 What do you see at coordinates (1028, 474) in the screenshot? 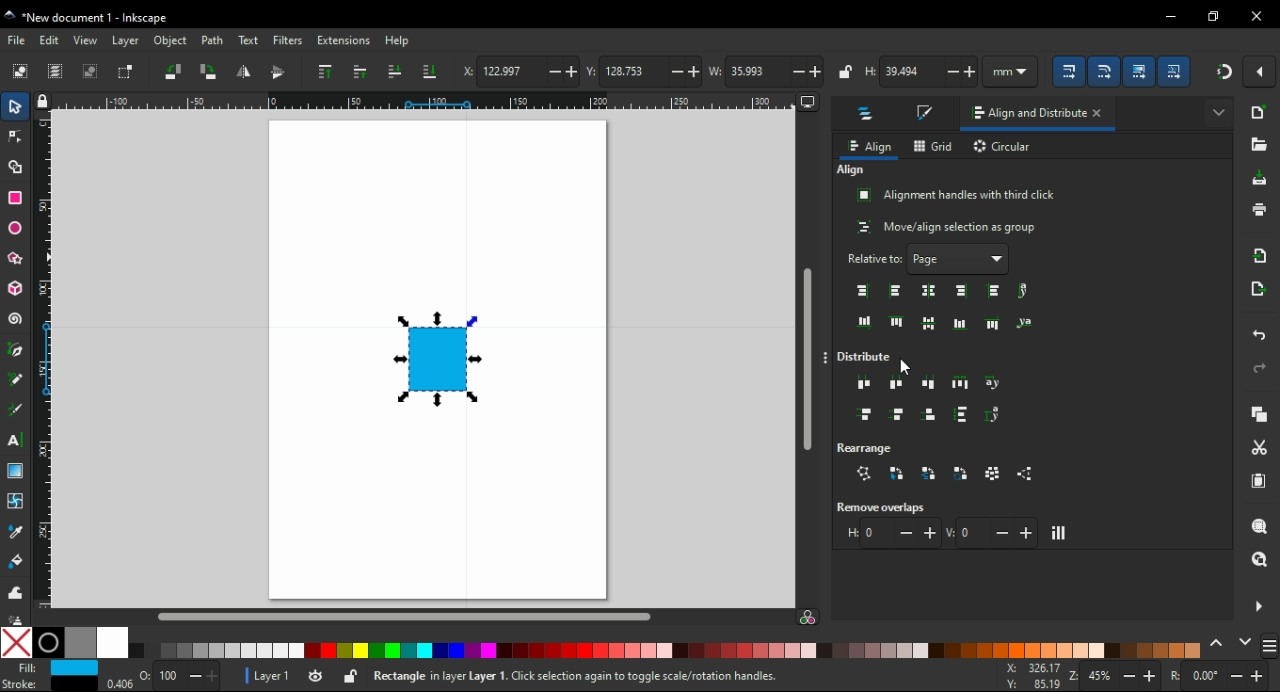
I see `unclump objects` at bounding box center [1028, 474].